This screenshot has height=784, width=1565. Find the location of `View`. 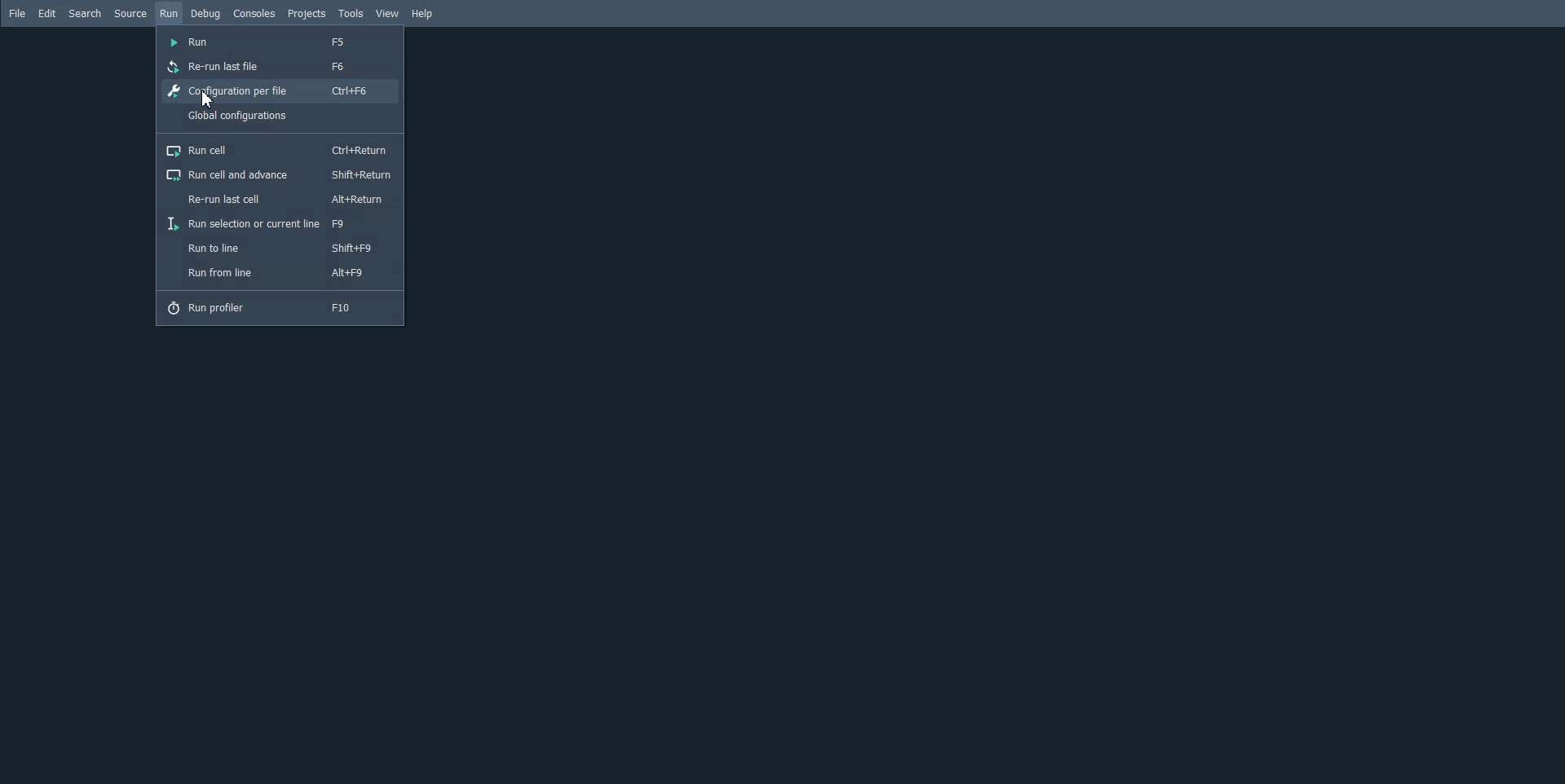

View is located at coordinates (388, 14).